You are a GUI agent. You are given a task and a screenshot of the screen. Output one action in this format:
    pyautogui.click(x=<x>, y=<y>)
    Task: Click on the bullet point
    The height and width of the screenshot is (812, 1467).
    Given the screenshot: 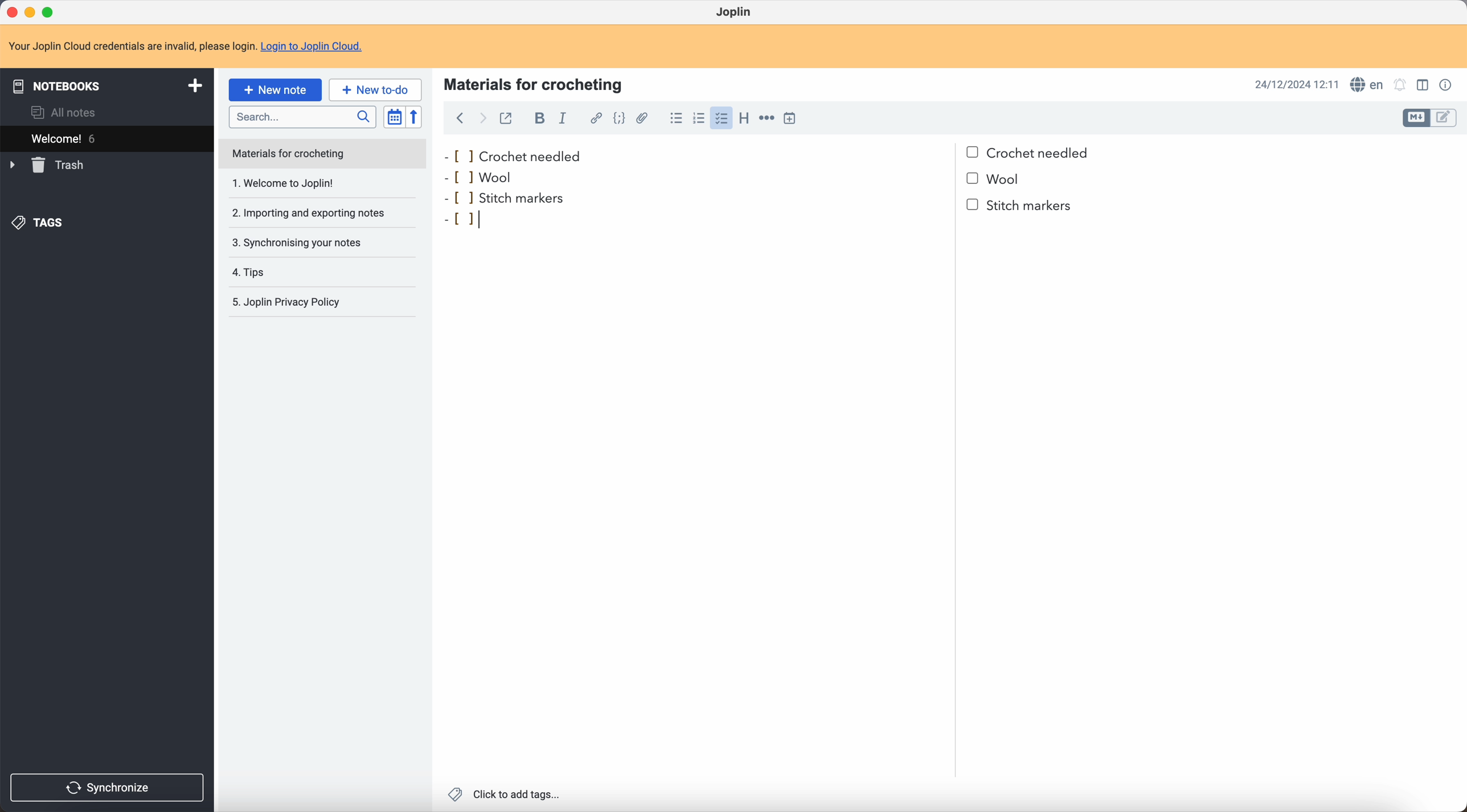 What is the action you would take?
    pyautogui.click(x=998, y=177)
    